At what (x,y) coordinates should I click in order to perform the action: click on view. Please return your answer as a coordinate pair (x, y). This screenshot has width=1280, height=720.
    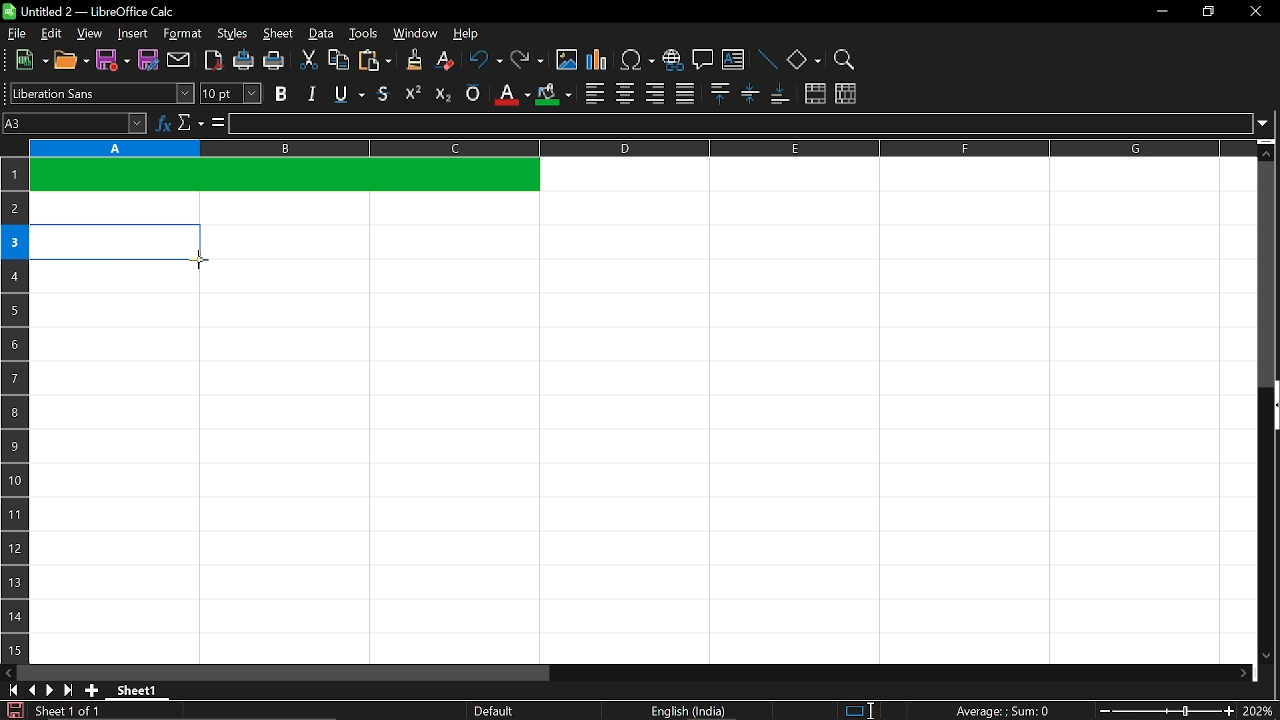
    Looking at the image, I should click on (88, 34).